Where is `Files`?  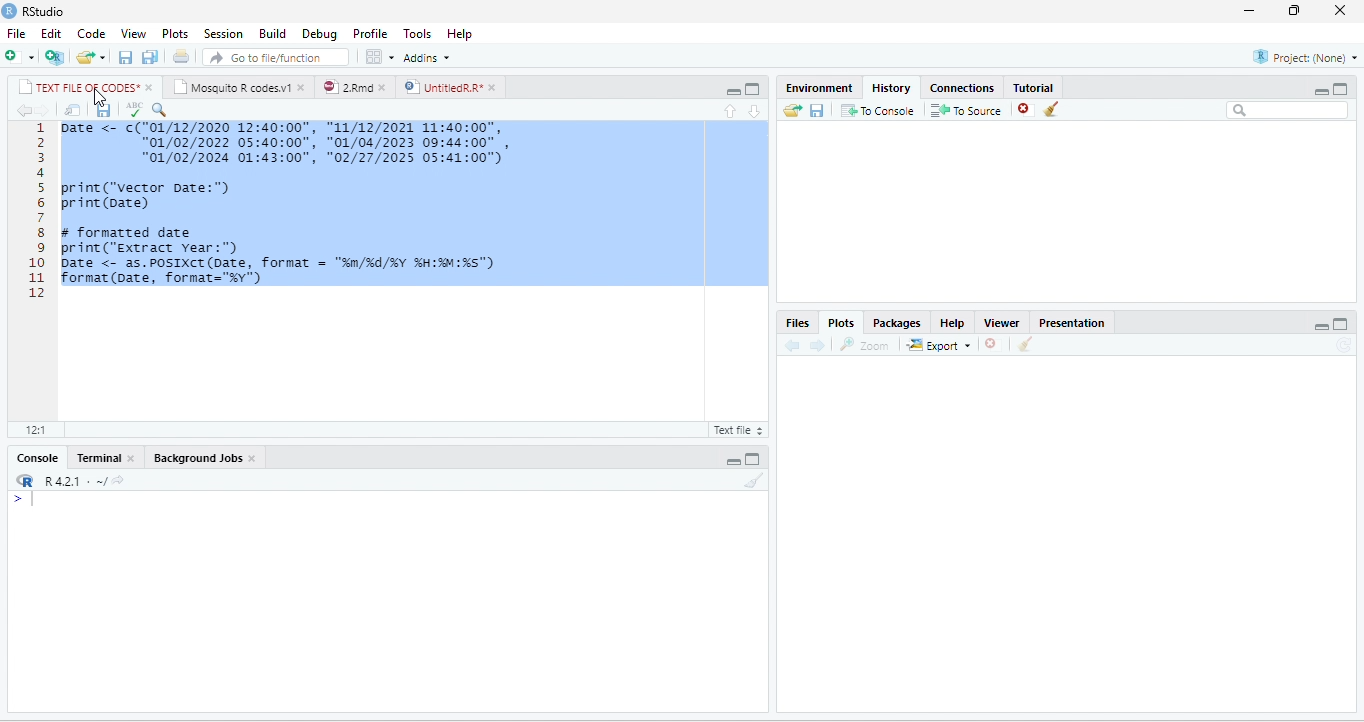
Files is located at coordinates (799, 324).